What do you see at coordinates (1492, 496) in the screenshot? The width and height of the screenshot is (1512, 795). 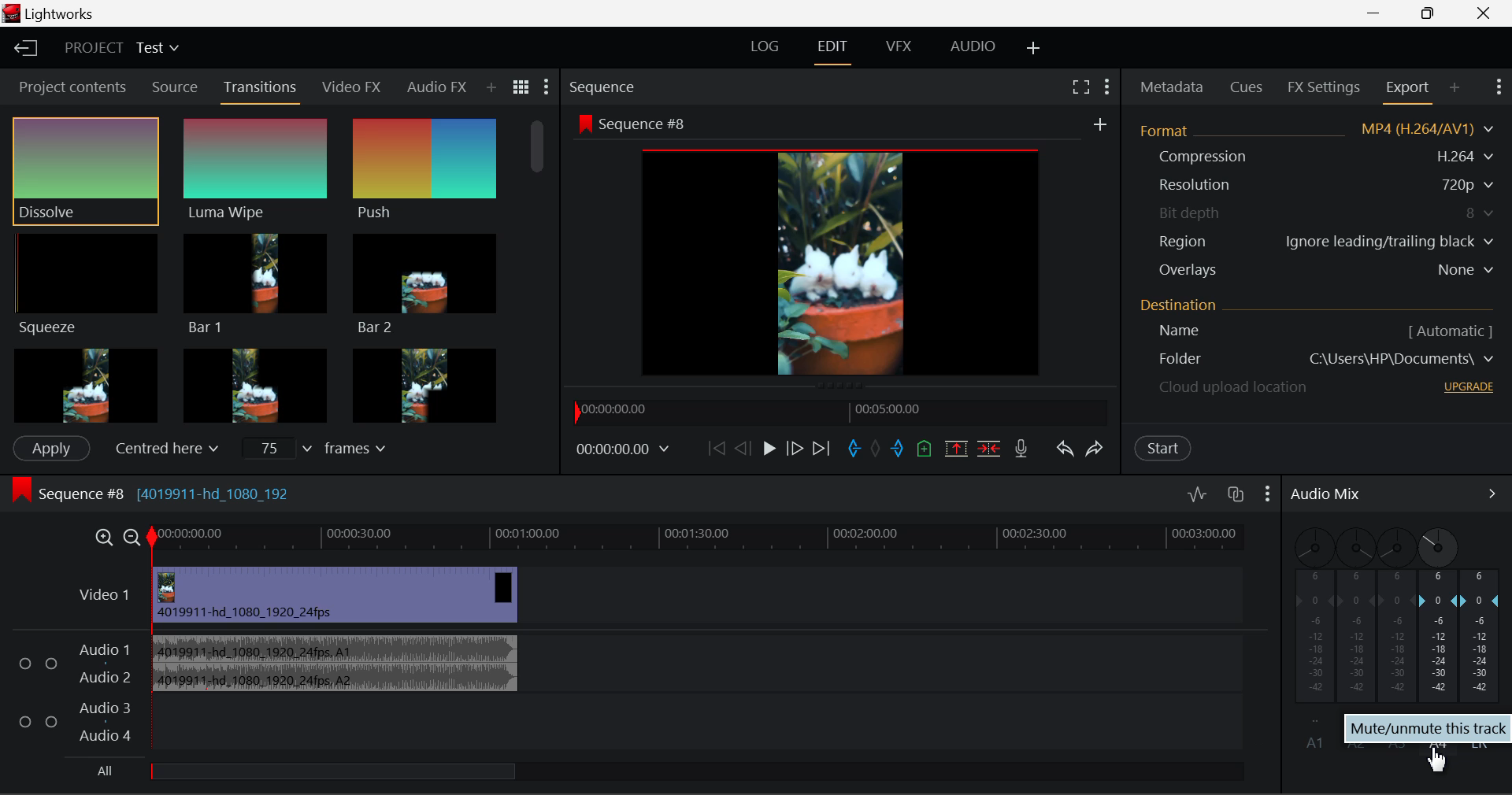 I see `Show Audio Mix` at bounding box center [1492, 496].